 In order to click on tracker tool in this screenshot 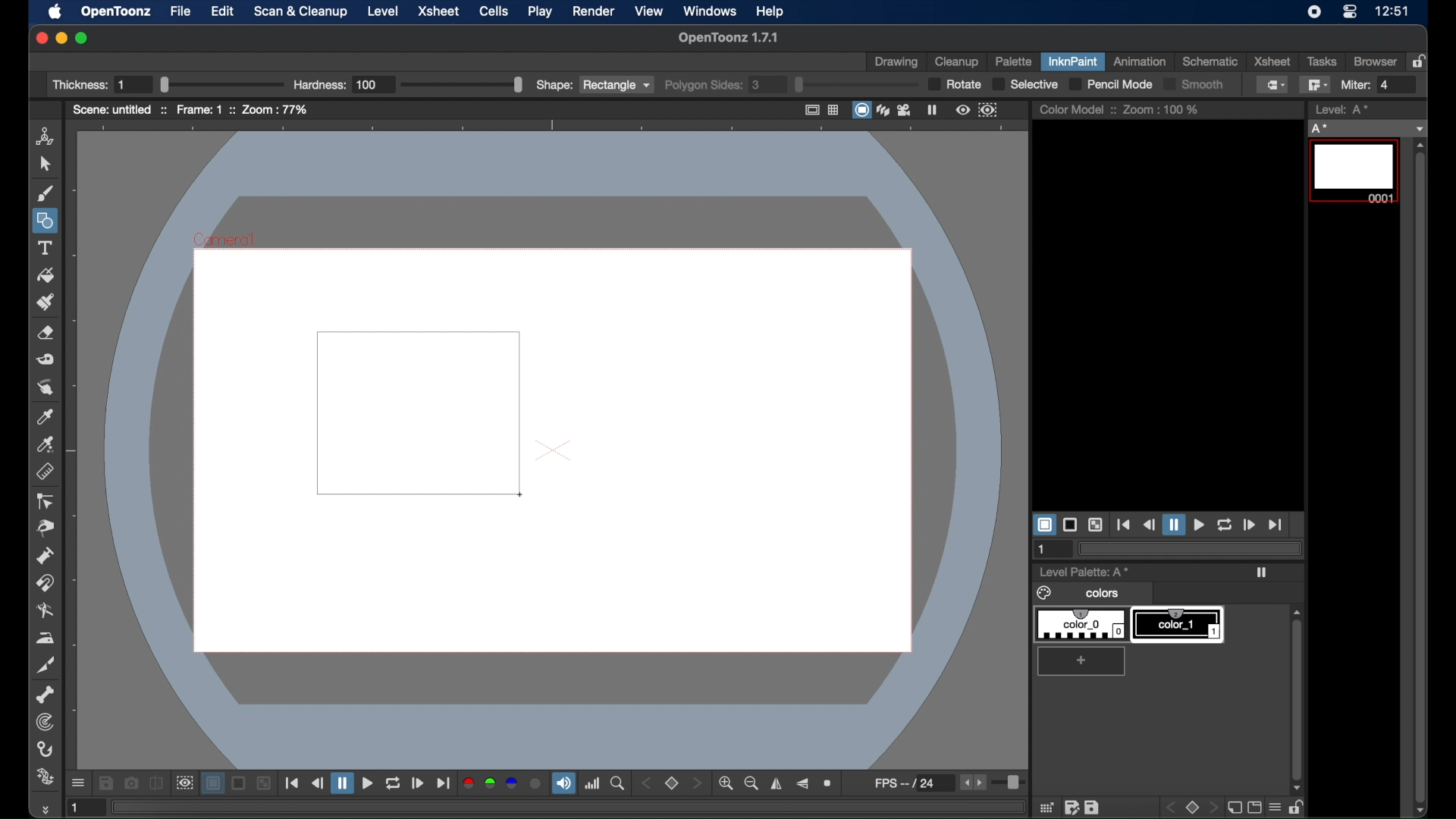, I will do `click(45, 722)`.